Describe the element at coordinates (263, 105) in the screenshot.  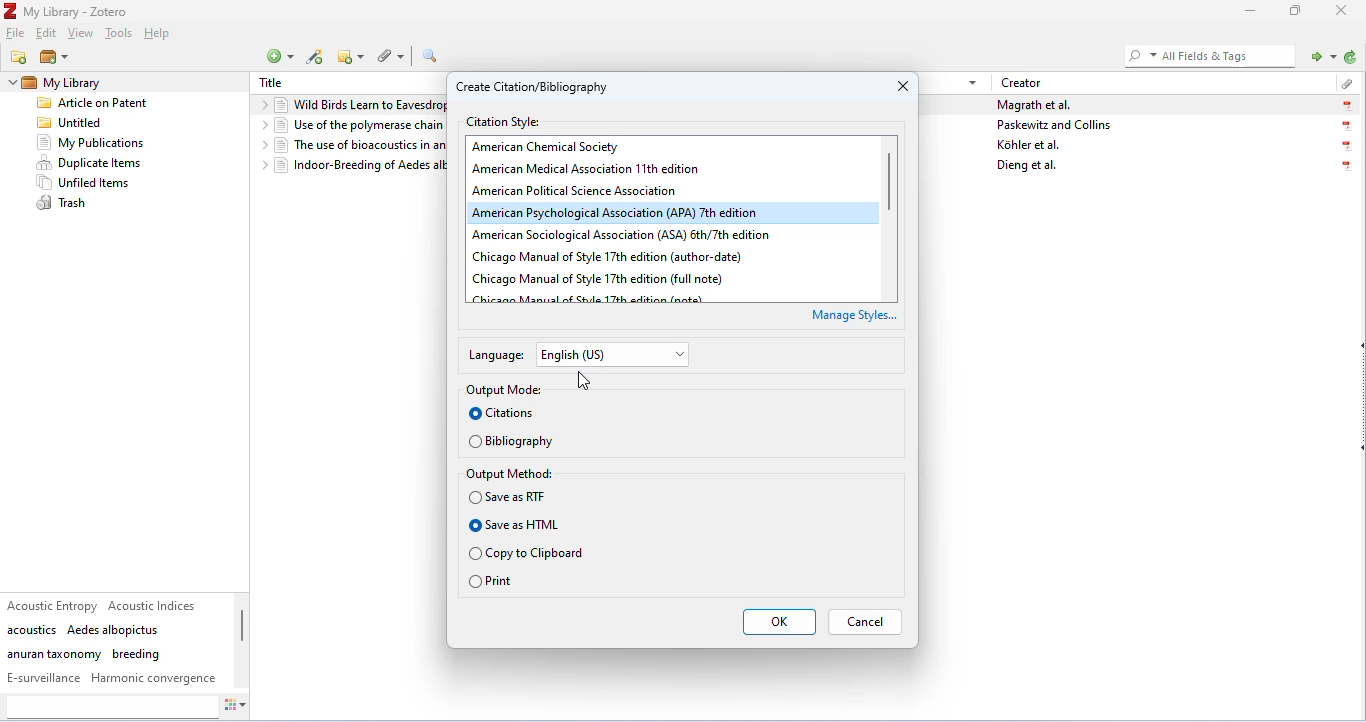
I see `drop down` at that location.